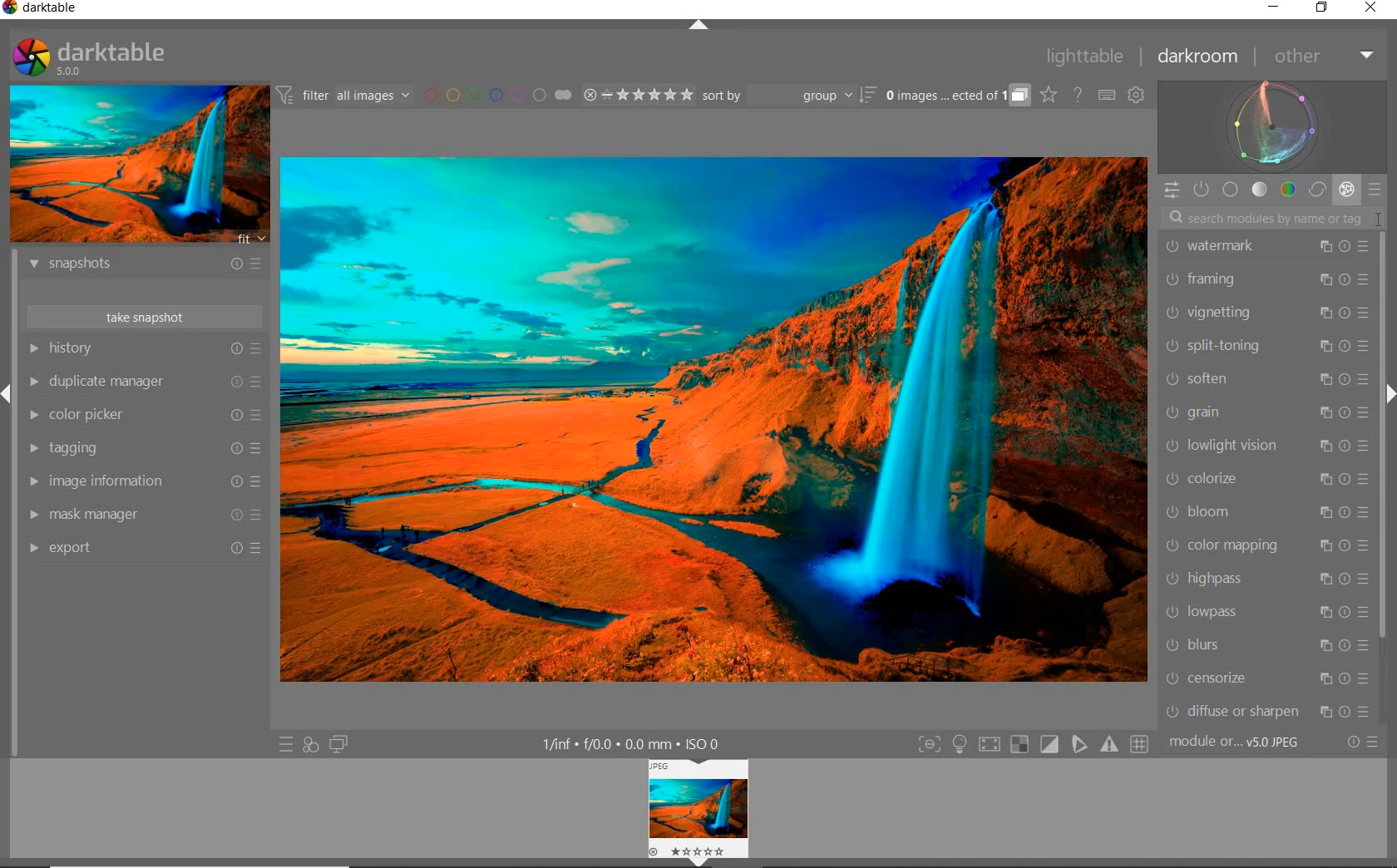 The width and height of the screenshot is (1397, 868). Describe the element at coordinates (1287, 190) in the screenshot. I see `color` at that location.